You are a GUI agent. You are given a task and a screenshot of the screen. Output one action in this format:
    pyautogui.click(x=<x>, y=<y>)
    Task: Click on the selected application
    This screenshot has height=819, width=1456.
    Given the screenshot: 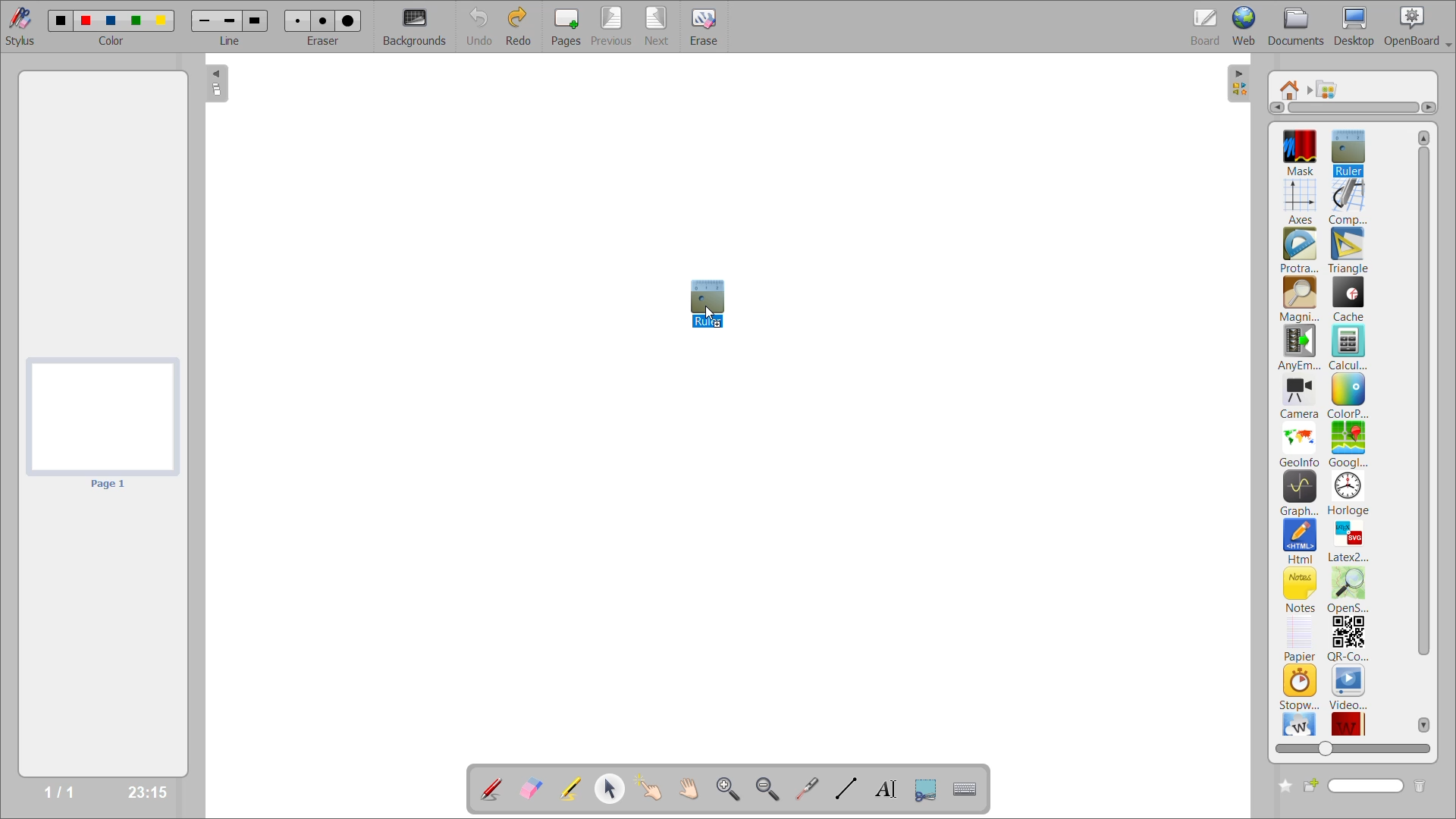 What is the action you would take?
    pyautogui.click(x=708, y=302)
    